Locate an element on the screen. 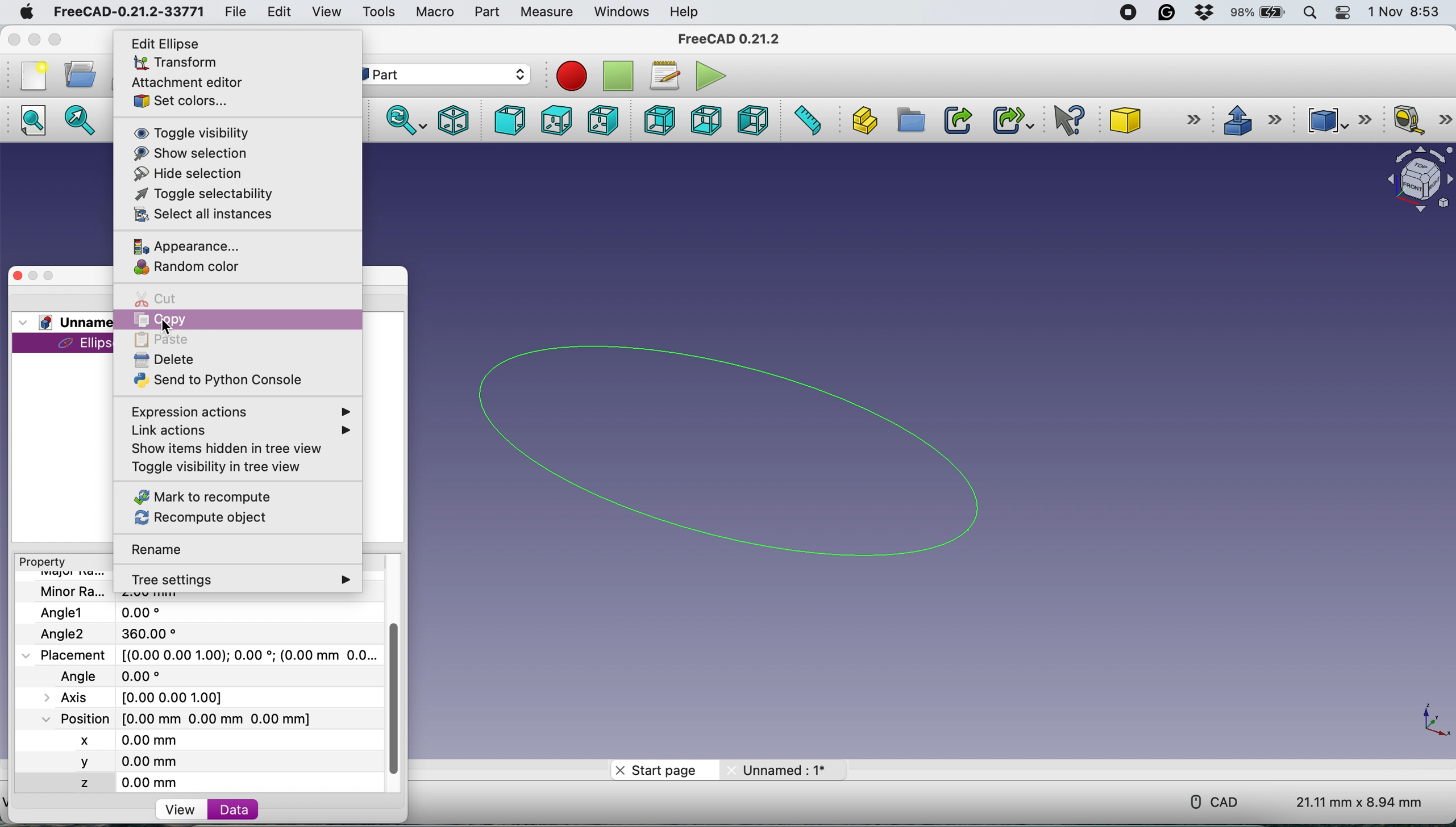 Image resolution: width=1456 pixels, height=827 pixels. cut is located at coordinates (156, 298).